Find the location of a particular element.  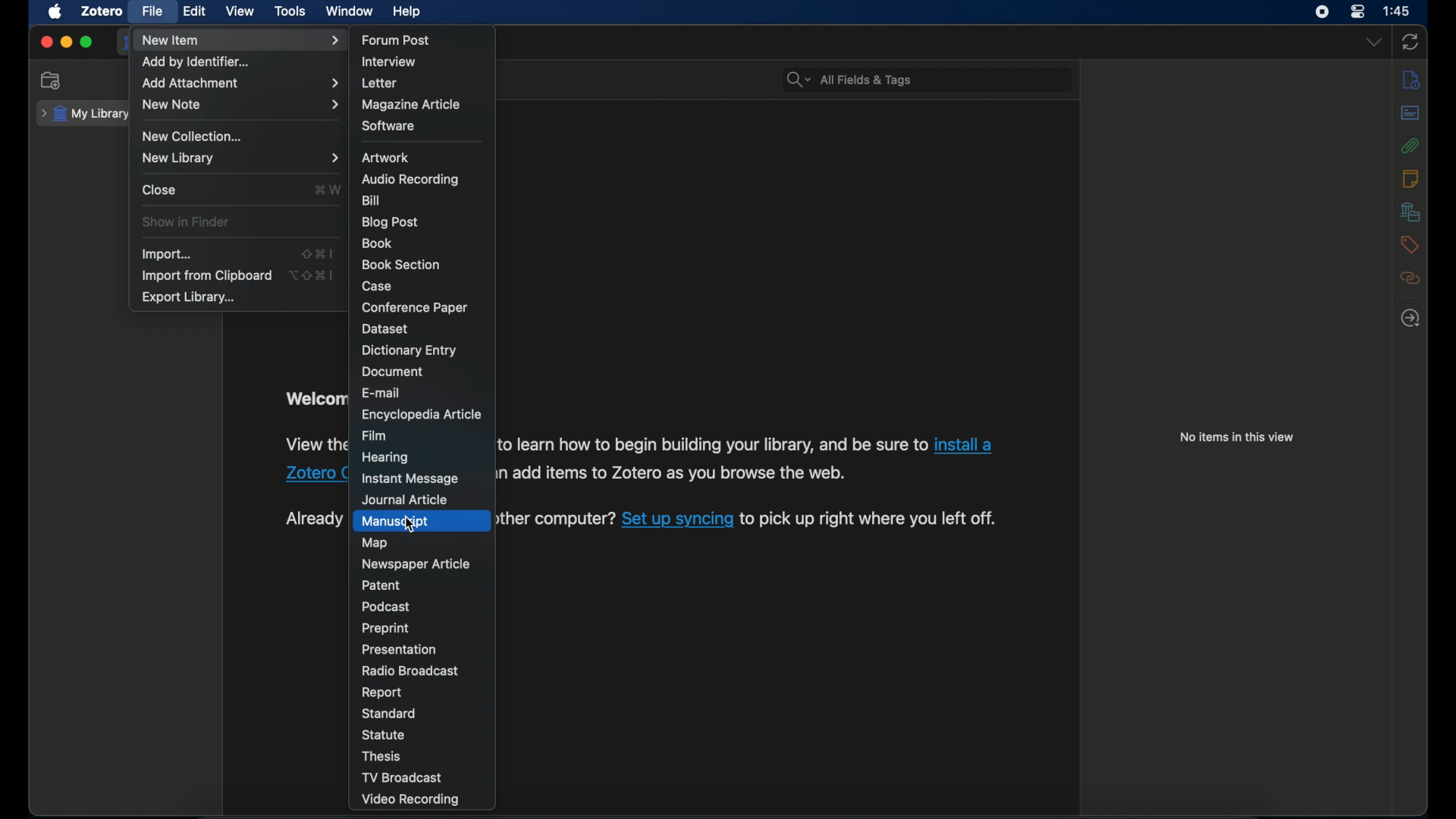

screen recorder is located at coordinates (1323, 12).